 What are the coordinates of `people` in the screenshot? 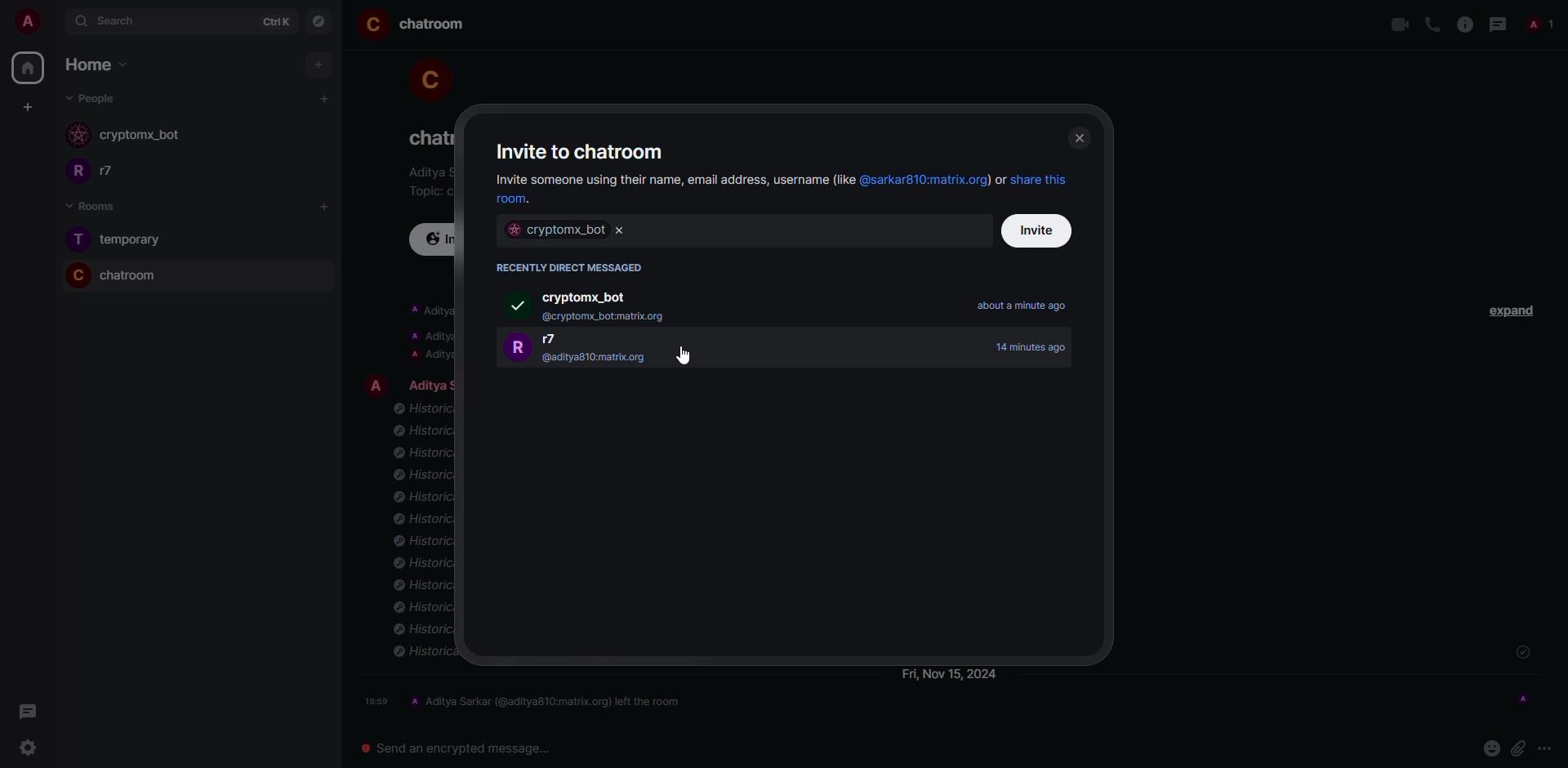 It's located at (429, 384).